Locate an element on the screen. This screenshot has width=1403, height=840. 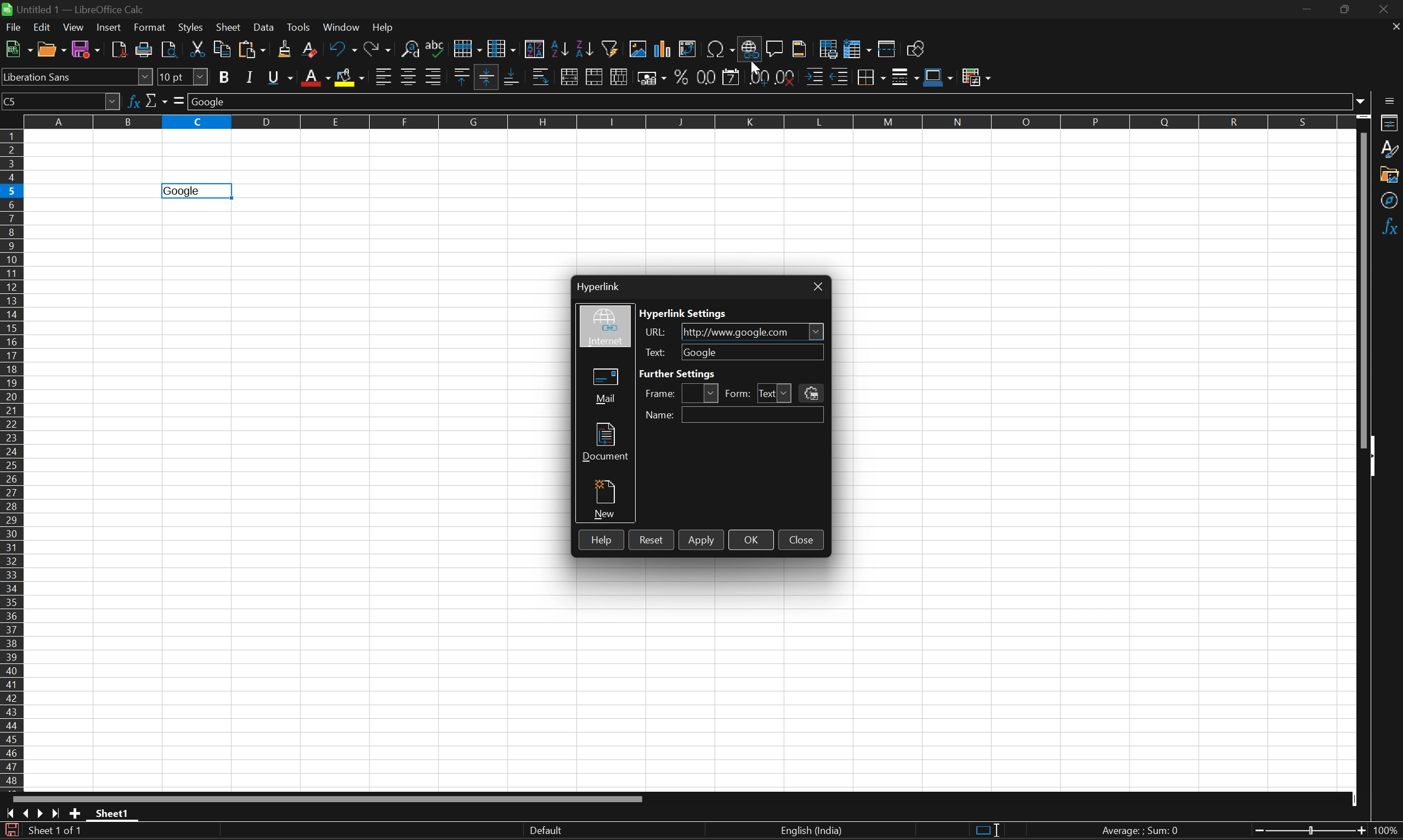
Add new sheet is located at coordinates (76, 815).